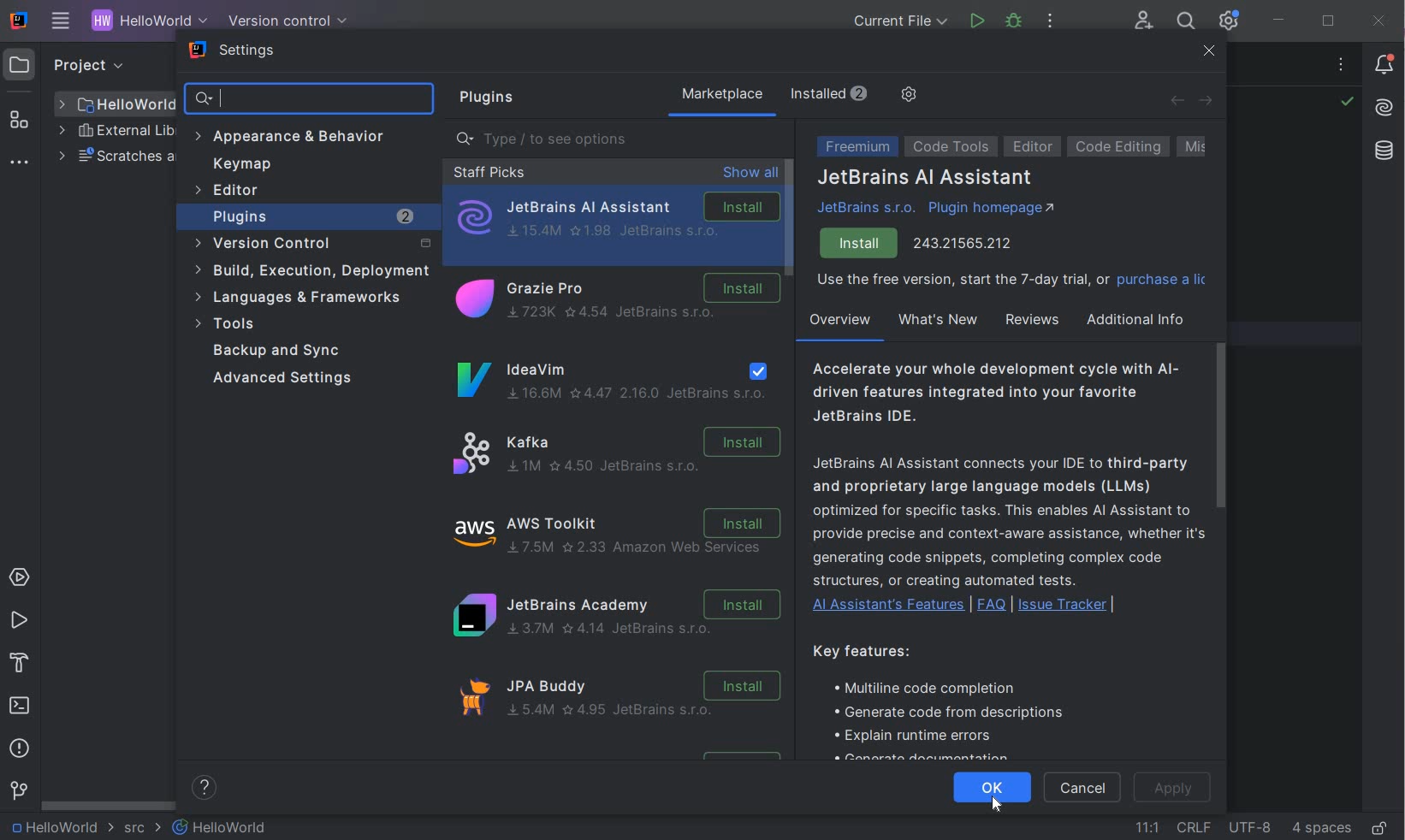 Image resolution: width=1405 pixels, height=840 pixels. What do you see at coordinates (20, 751) in the screenshot?
I see `PROBLEMS` at bounding box center [20, 751].